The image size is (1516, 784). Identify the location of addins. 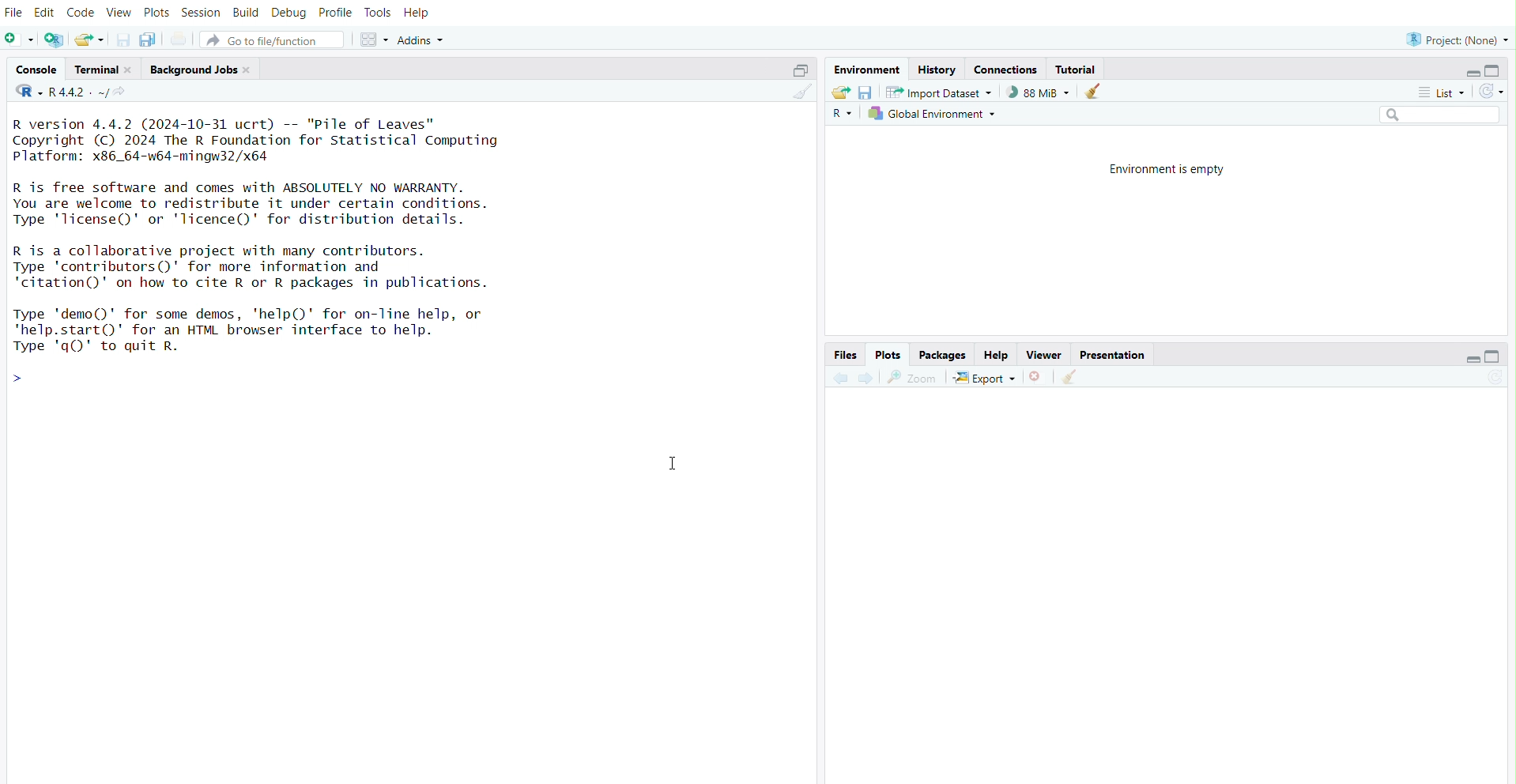
(424, 38).